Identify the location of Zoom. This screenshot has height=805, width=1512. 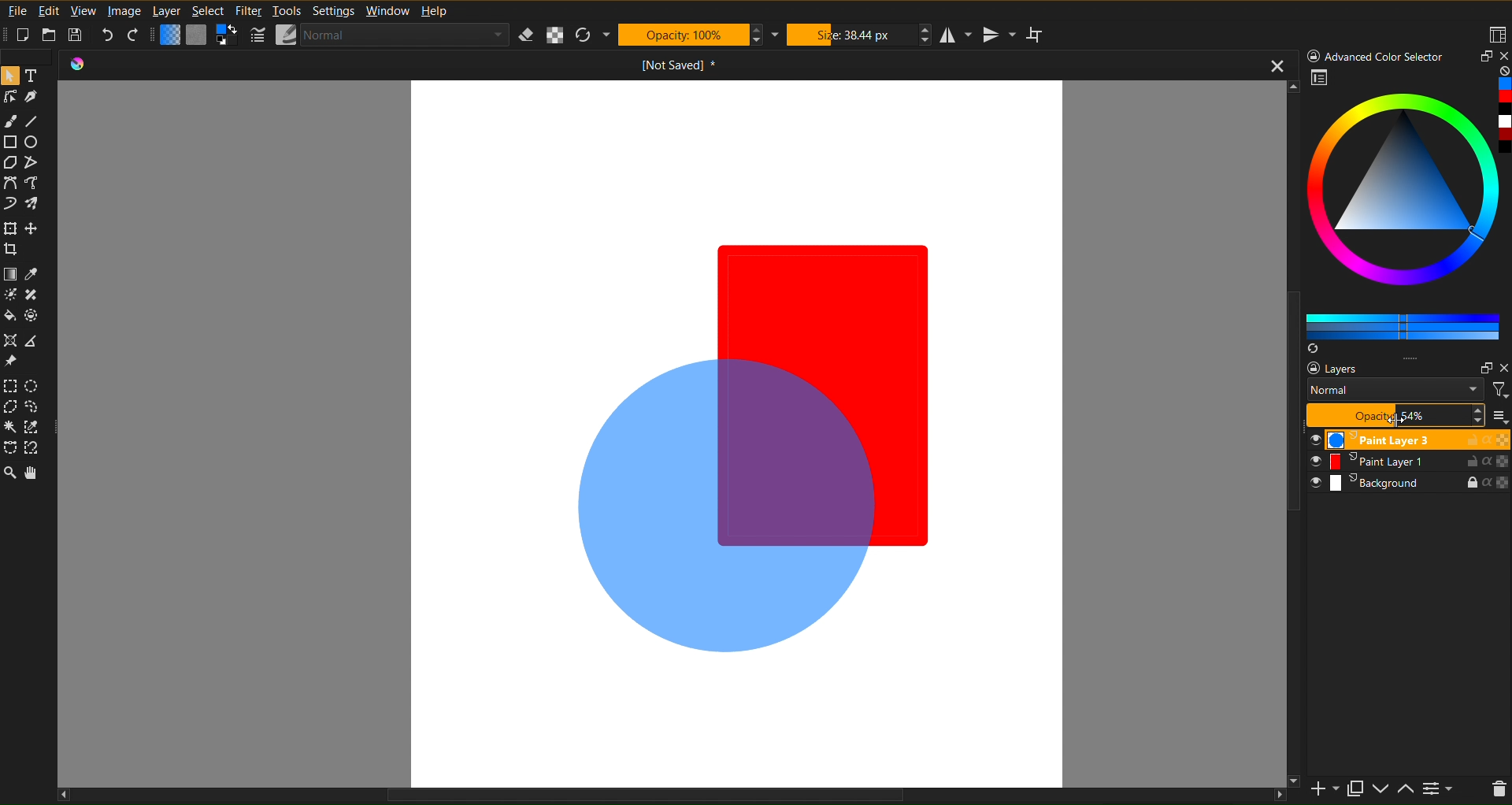
(9, 476).